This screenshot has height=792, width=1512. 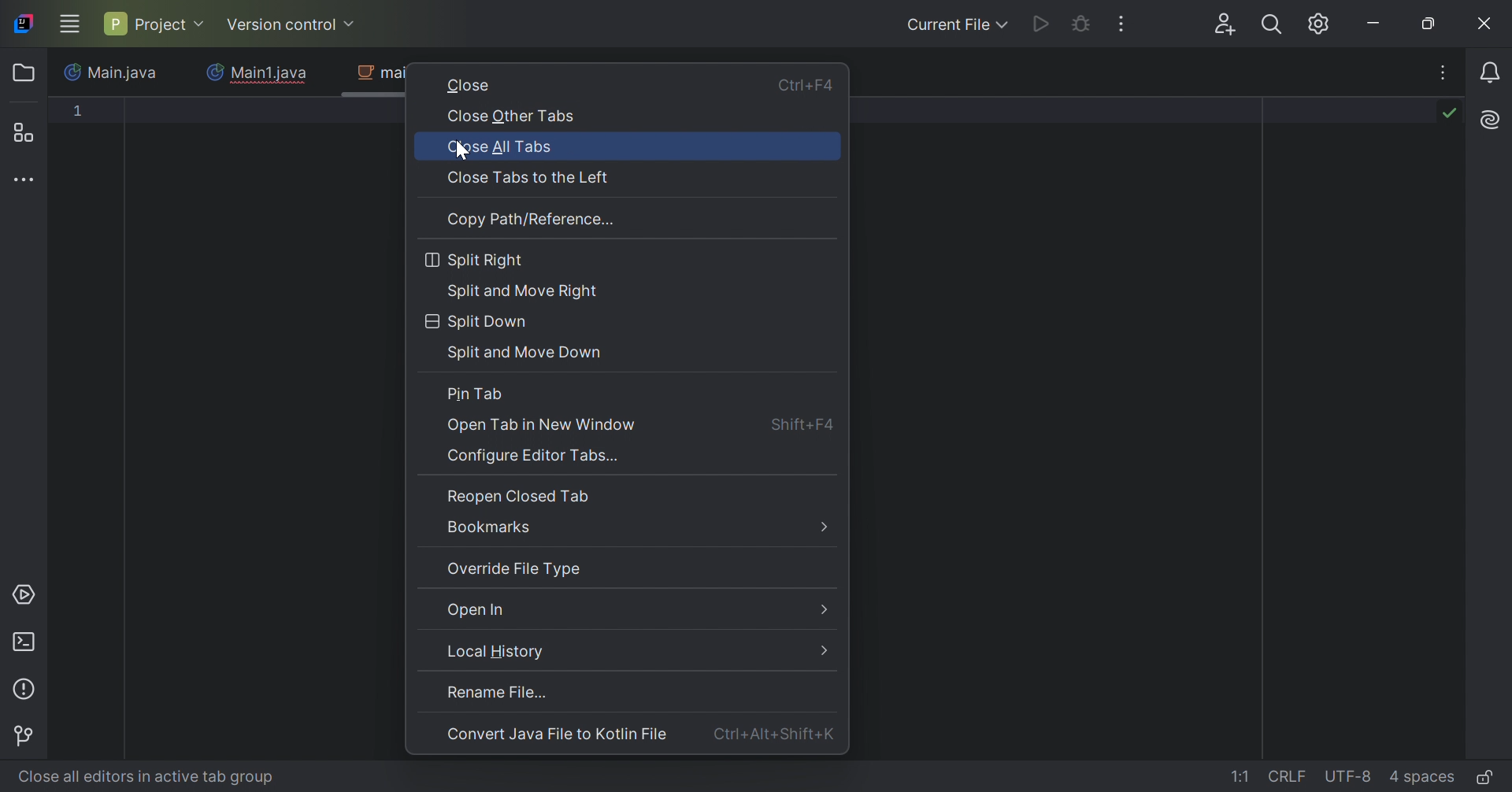 What do you see at coordinates (28, 690) in the screenshot?
I see `Problems` at bounding box center [28, 690].